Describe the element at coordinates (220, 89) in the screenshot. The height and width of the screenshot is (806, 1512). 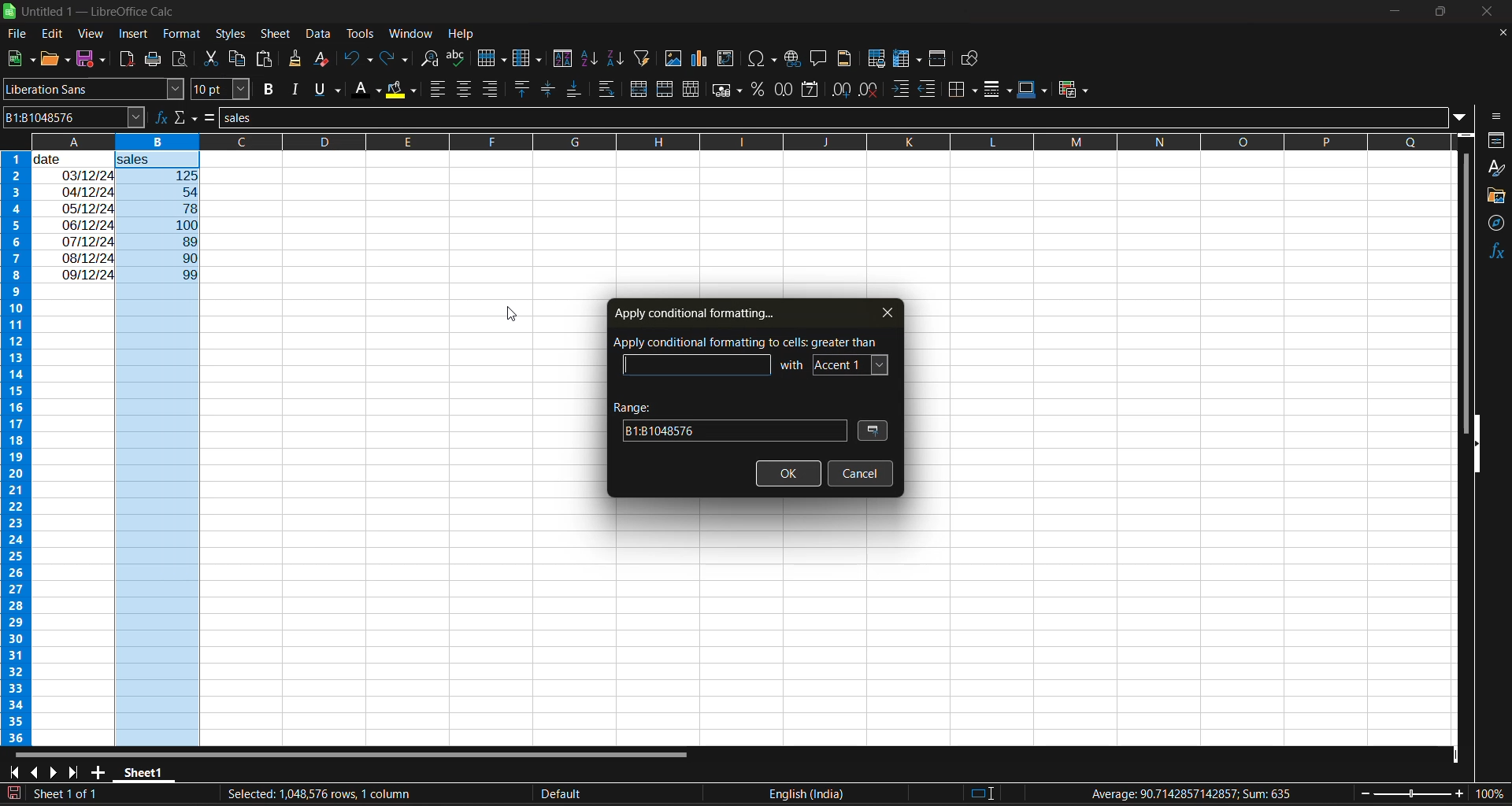
I see `font size` at that location.